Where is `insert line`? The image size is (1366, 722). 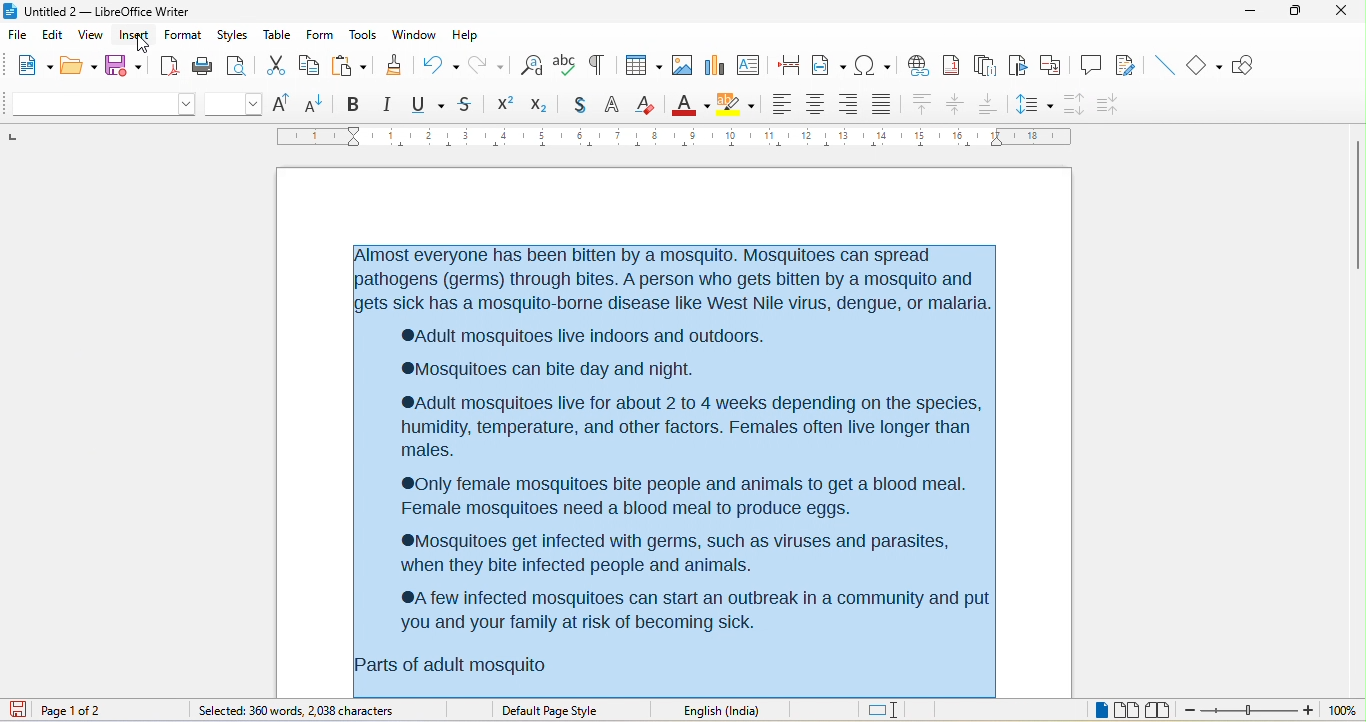 insert line is located at coordinates (1167, 65).